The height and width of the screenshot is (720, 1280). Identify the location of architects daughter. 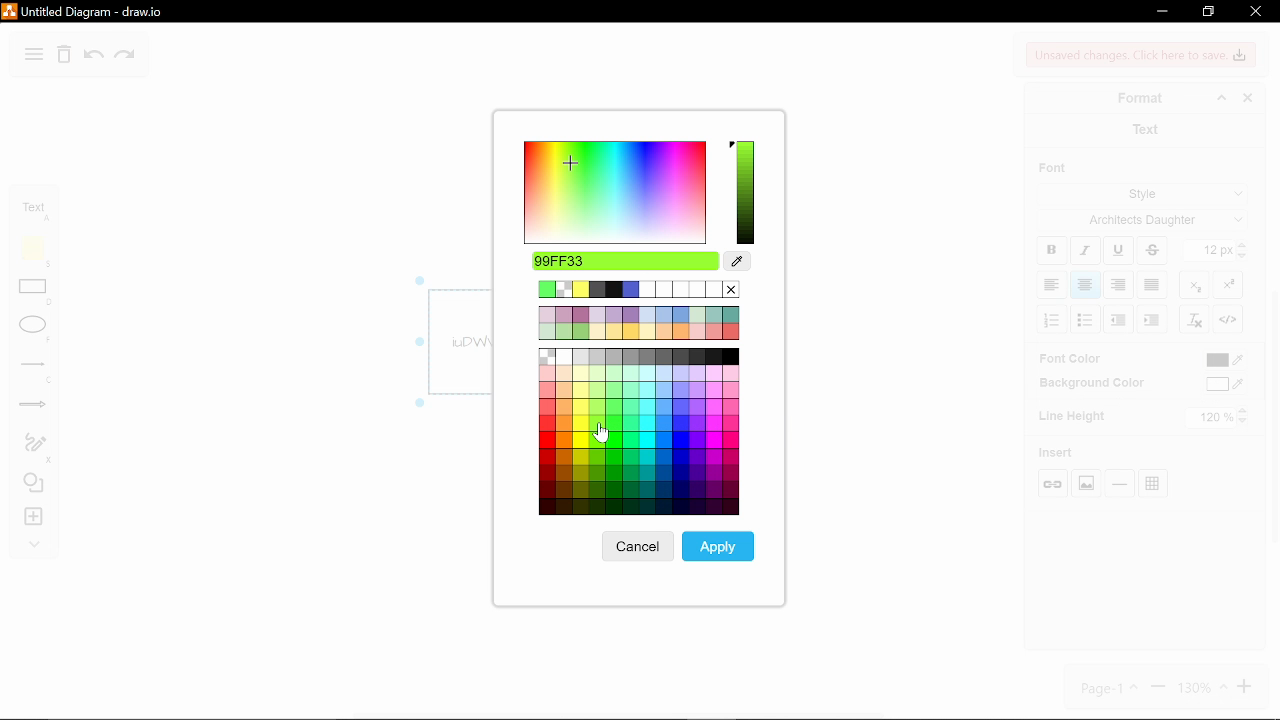
(1139, 222).